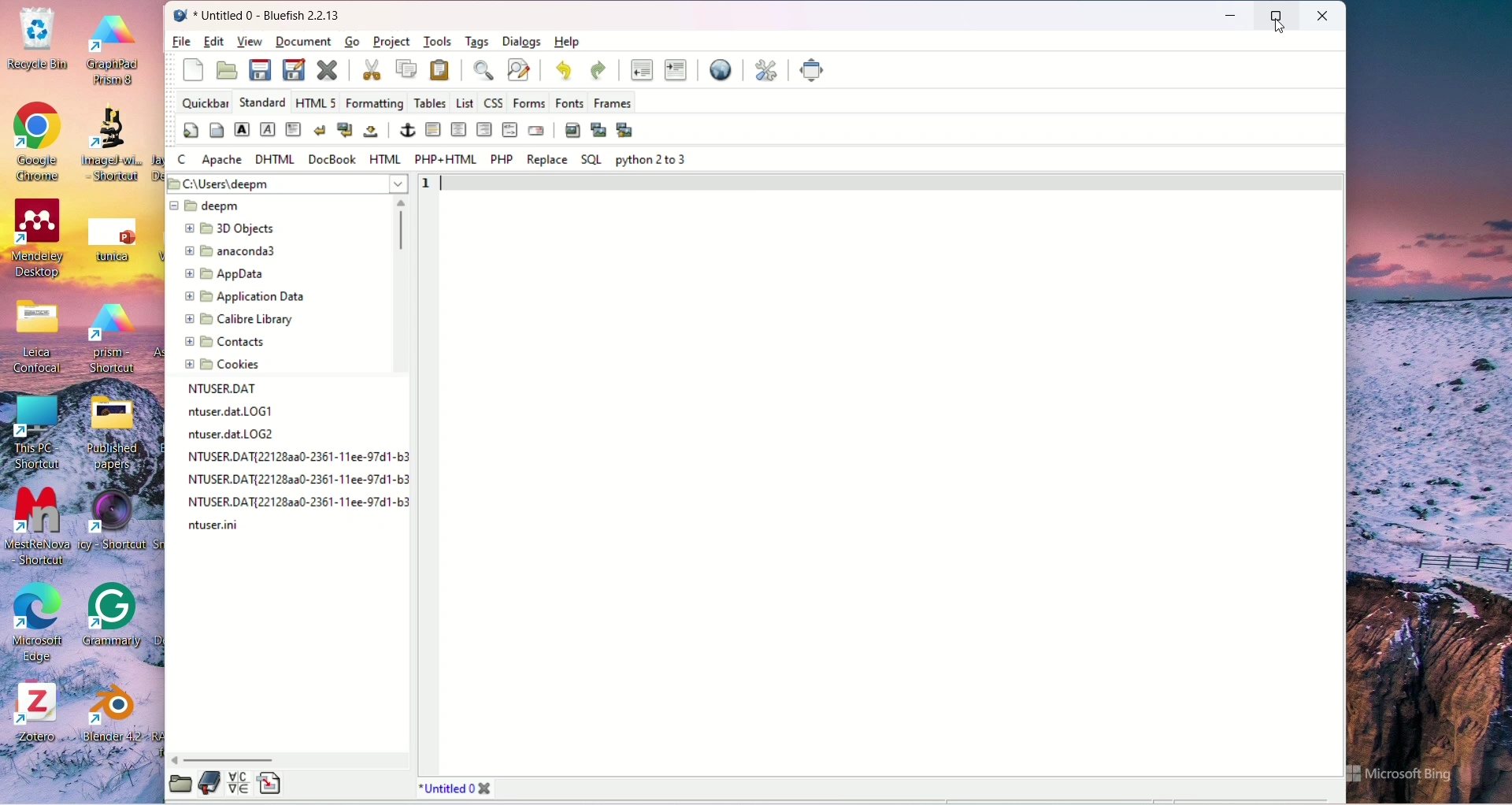  I want to click on project, so click(391, 41).